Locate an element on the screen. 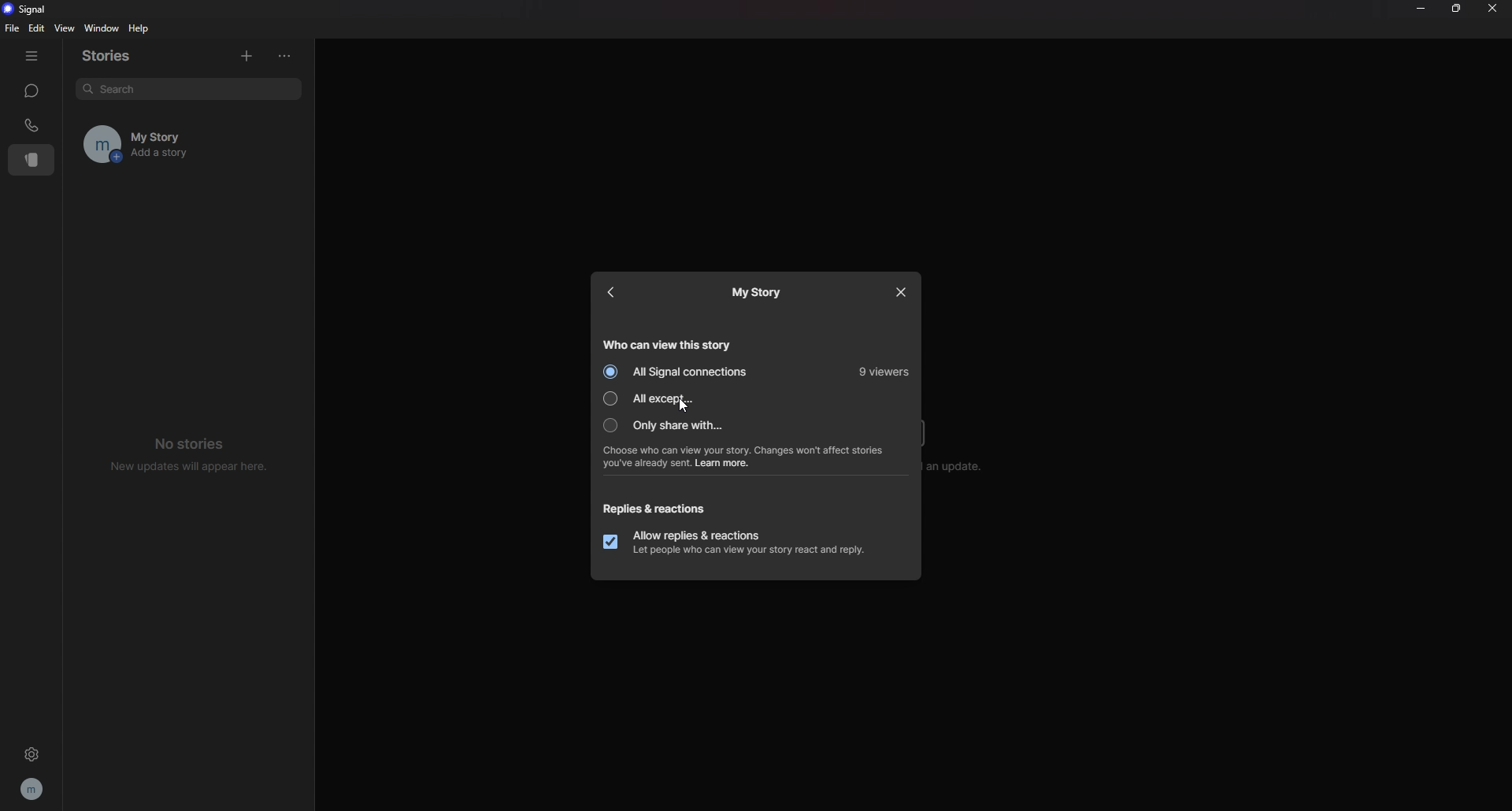 This screenshot has height=811, width=1512. cursor is located at coordinates (683, 407).